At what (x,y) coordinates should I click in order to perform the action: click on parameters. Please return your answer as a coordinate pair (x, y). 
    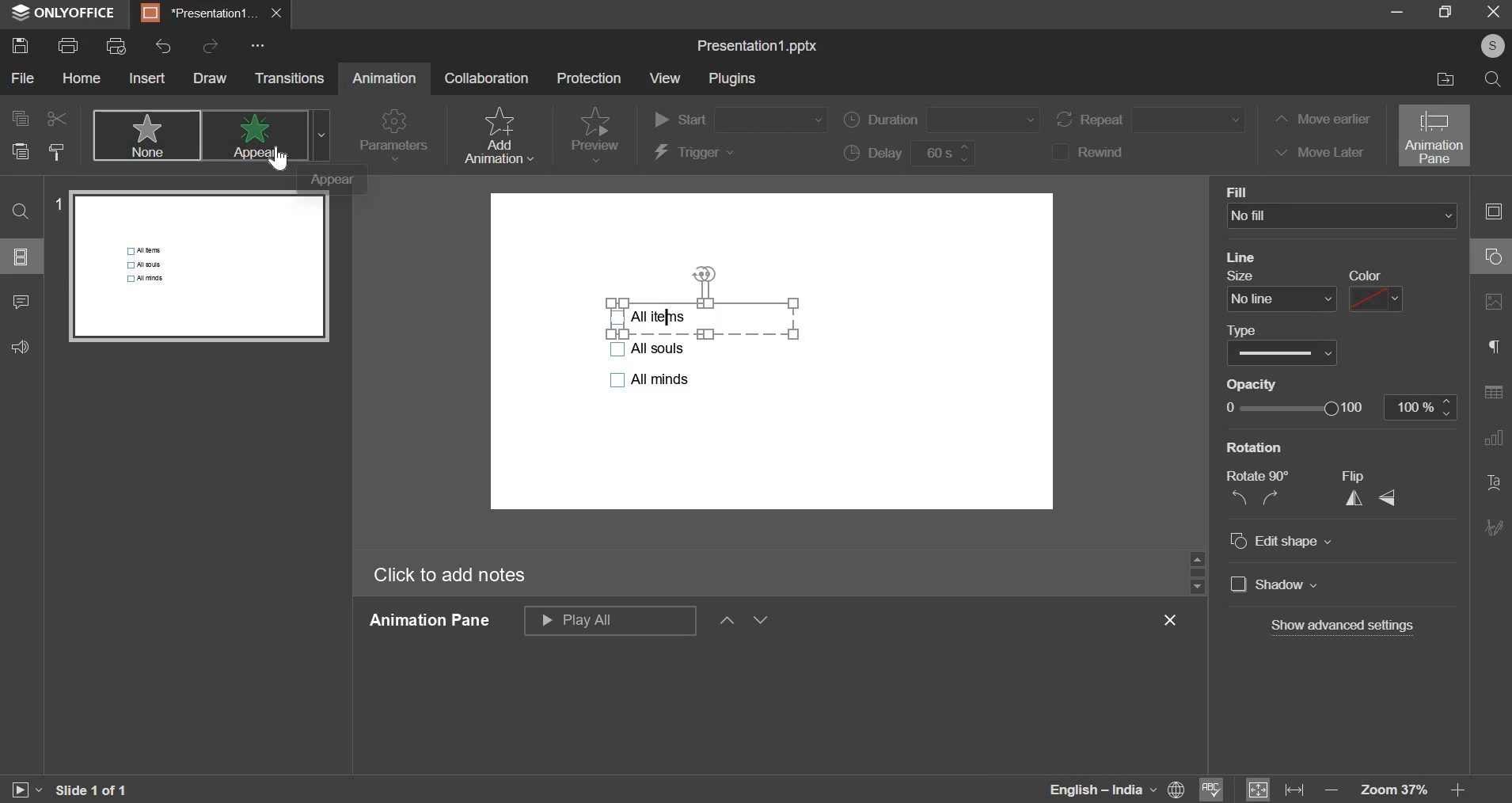
    Looking at the image, I should click on (394, 137).